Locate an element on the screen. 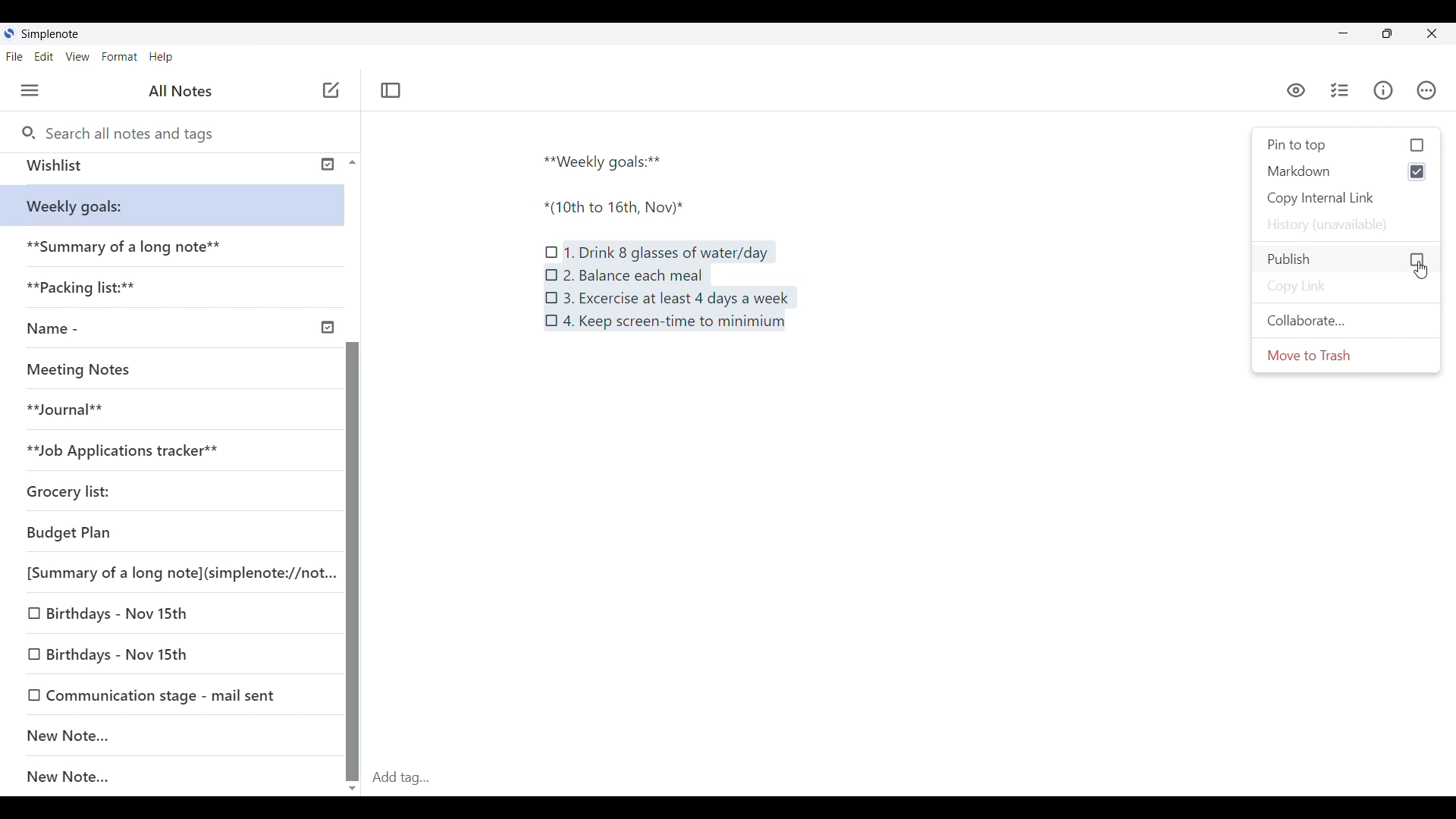 This screenshot has height=819, width=1456. Edit is located at coordinates (49, 58).